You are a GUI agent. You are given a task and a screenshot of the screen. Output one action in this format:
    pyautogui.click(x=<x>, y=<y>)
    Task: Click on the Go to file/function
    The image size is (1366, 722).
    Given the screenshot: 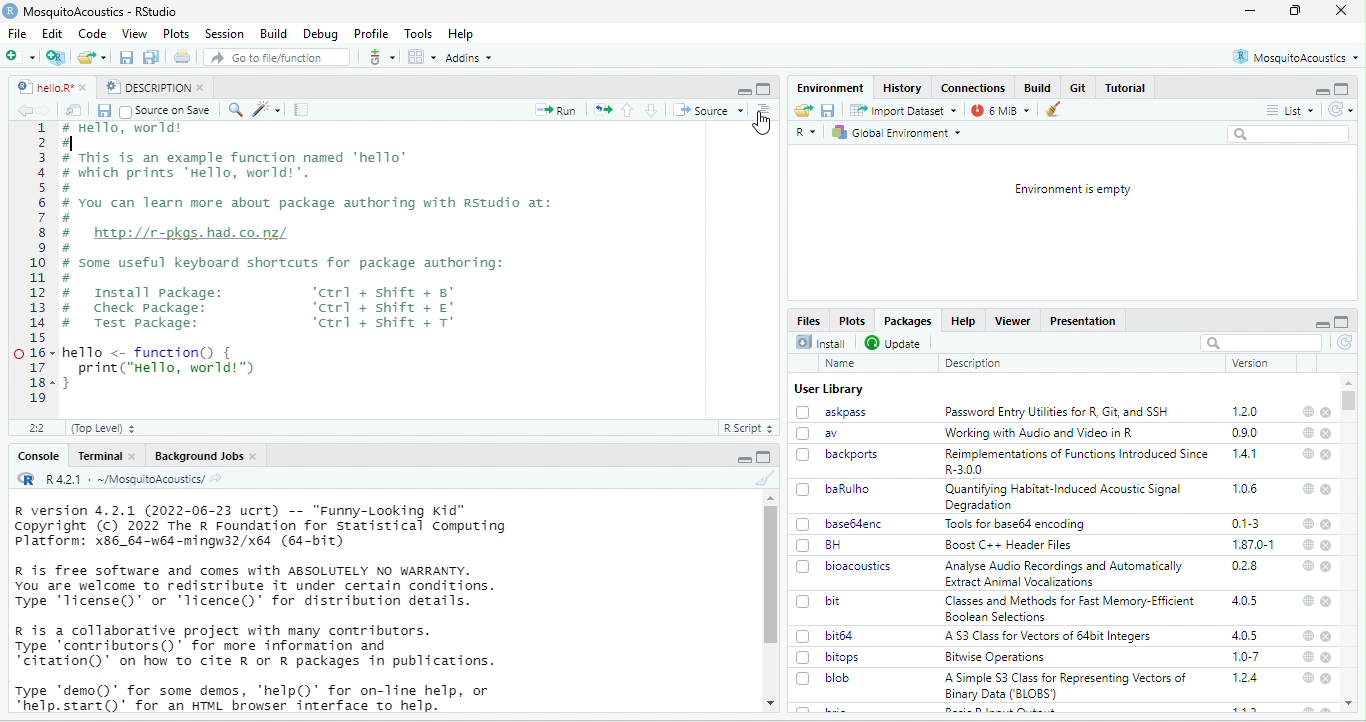 What is the action you would take?
    pyautogui.click(x=274, y=56)
    